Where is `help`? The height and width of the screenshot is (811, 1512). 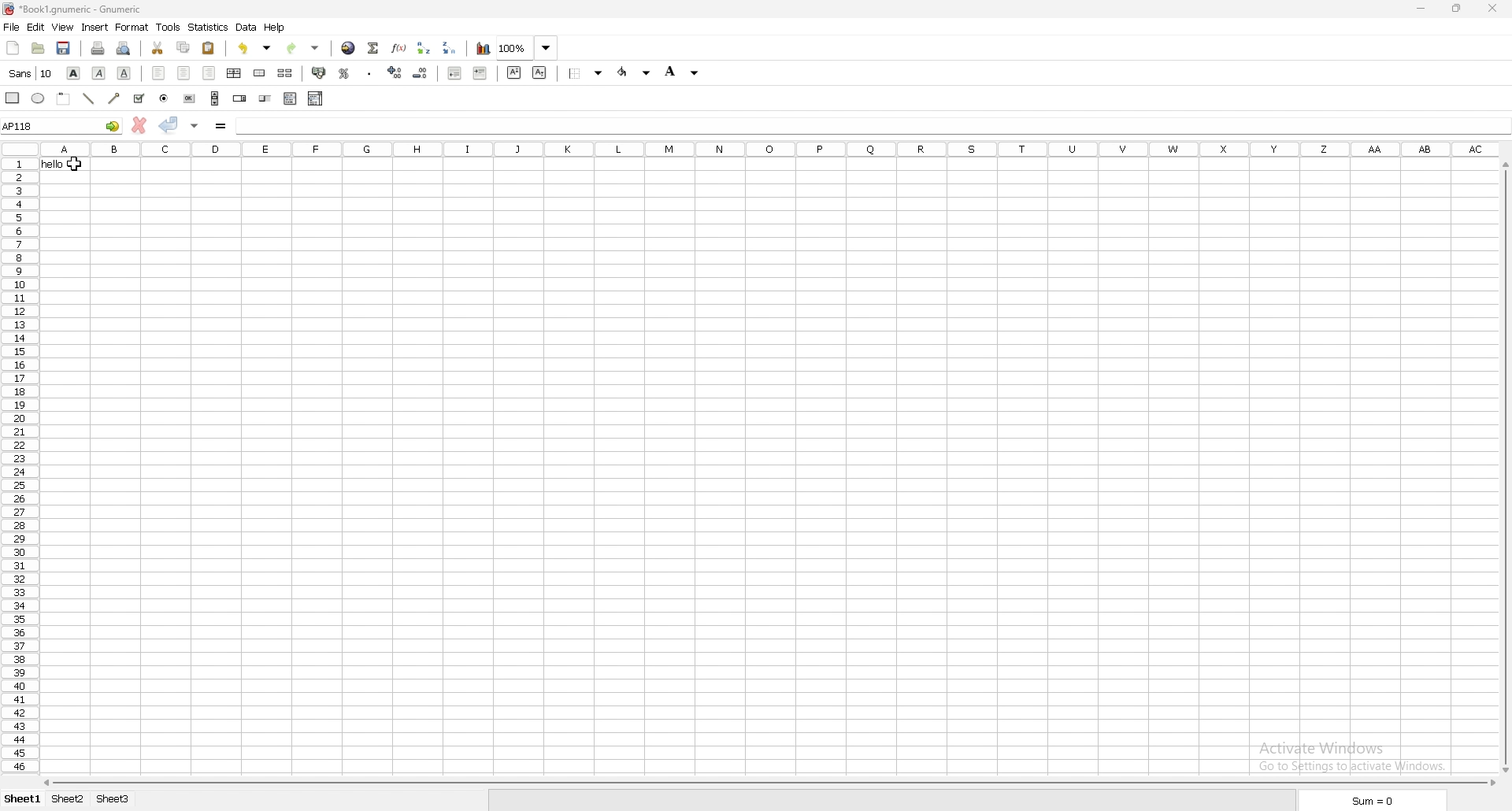 help is located at coordinates (276, 28).